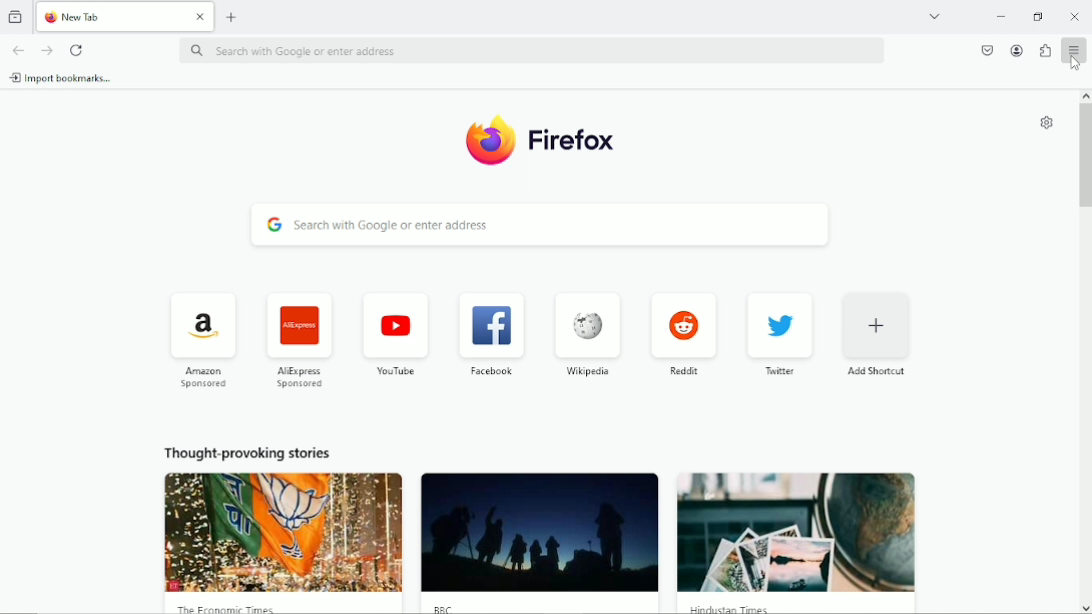 The width and height of the screenshot is (1092, 614). I want to click on go back, so click(17, 49).